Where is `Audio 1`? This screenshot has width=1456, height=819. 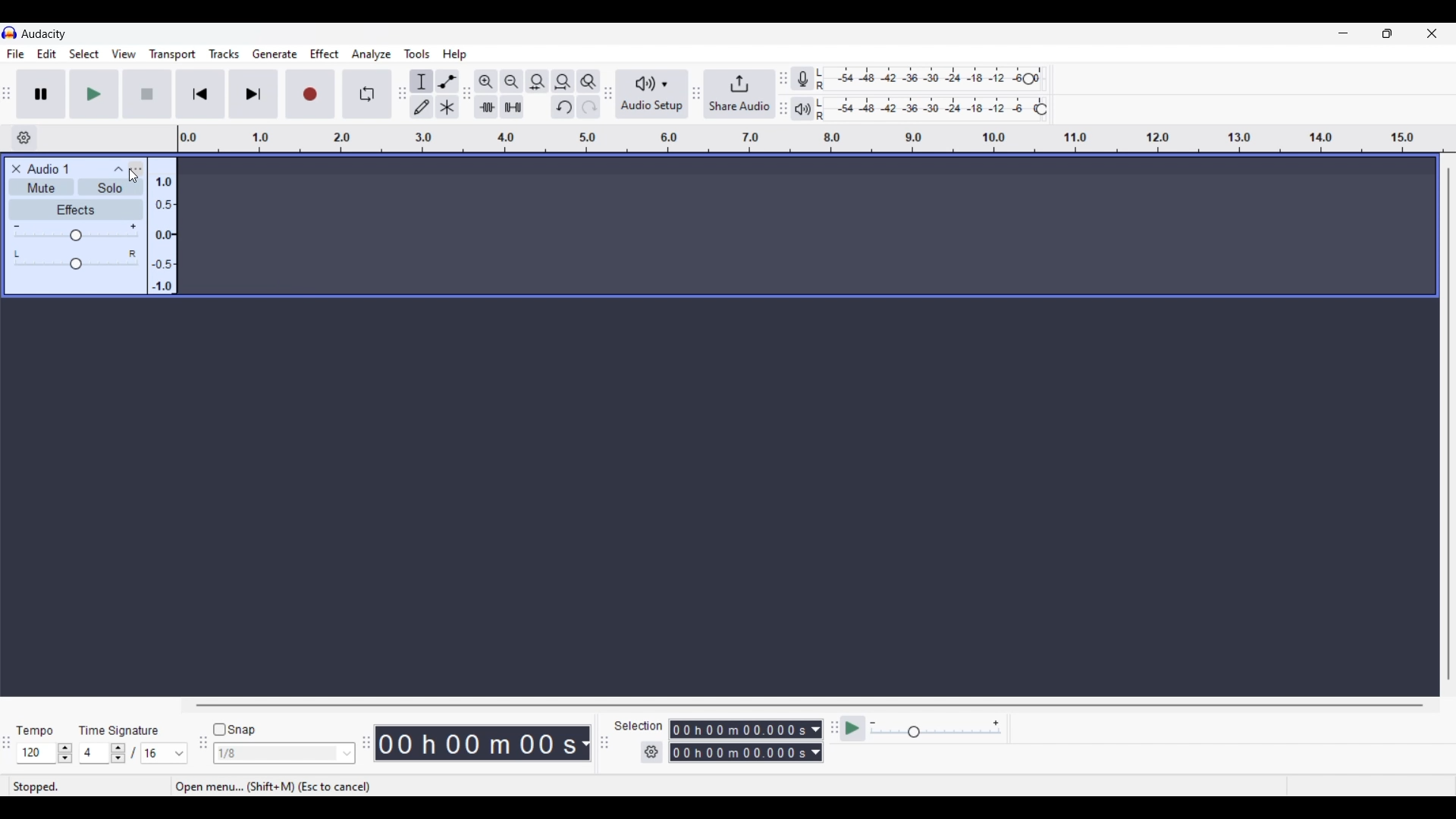 Audio 1 is located at coordinates (55, 169).